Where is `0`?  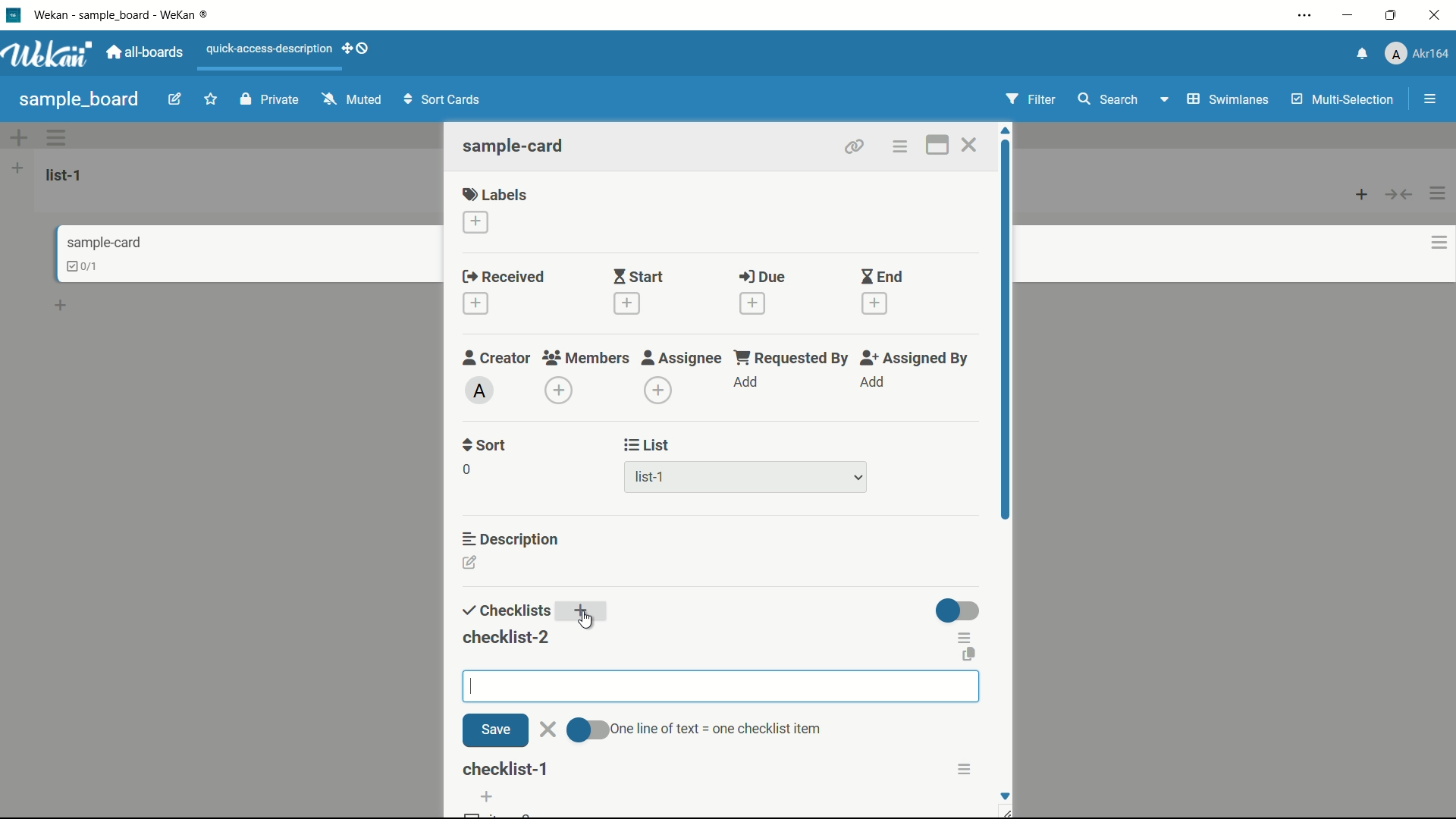 0 is located at coordinates (466, 469).